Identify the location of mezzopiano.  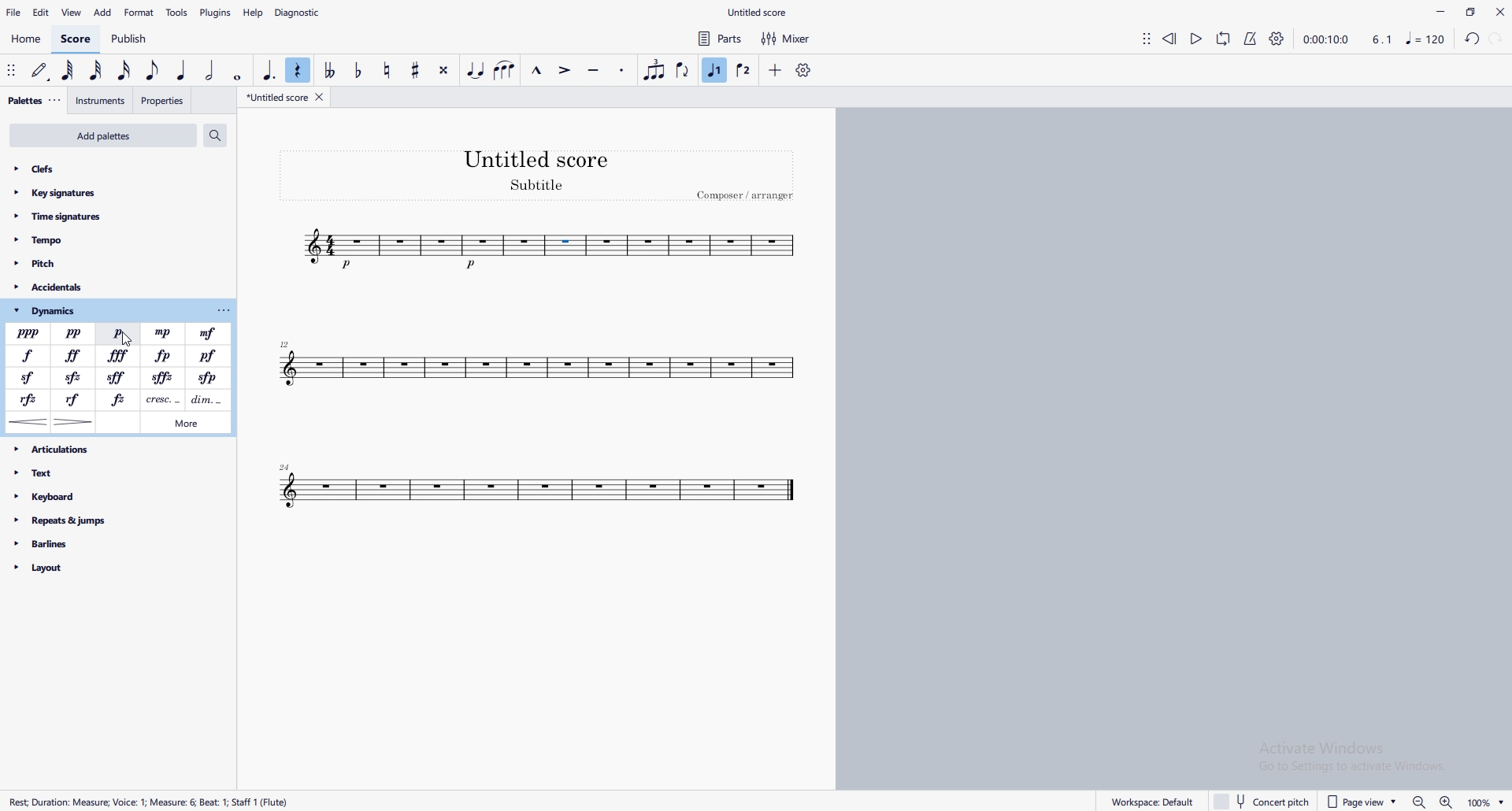
(165, 333).